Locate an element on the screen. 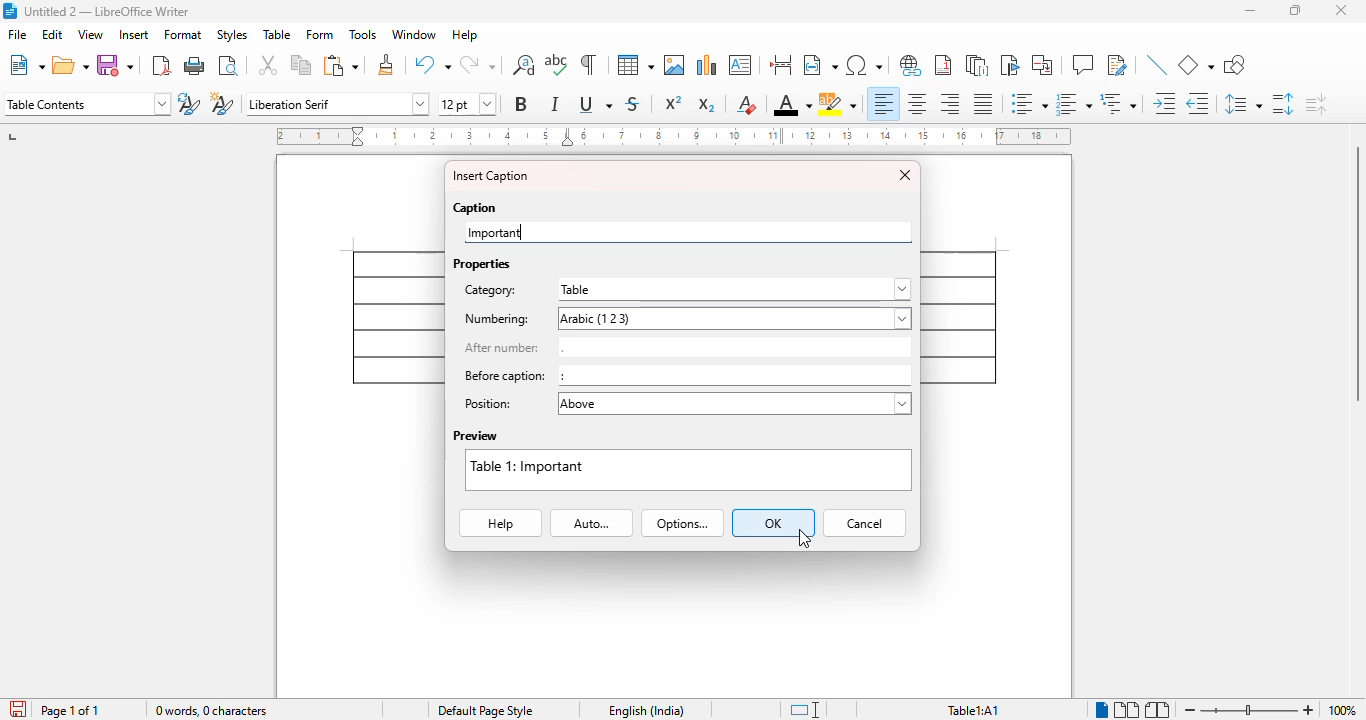 Image resolution: width=1366 pixels, height=720 pixels. zoom in is located at coordinates (1310, 710).